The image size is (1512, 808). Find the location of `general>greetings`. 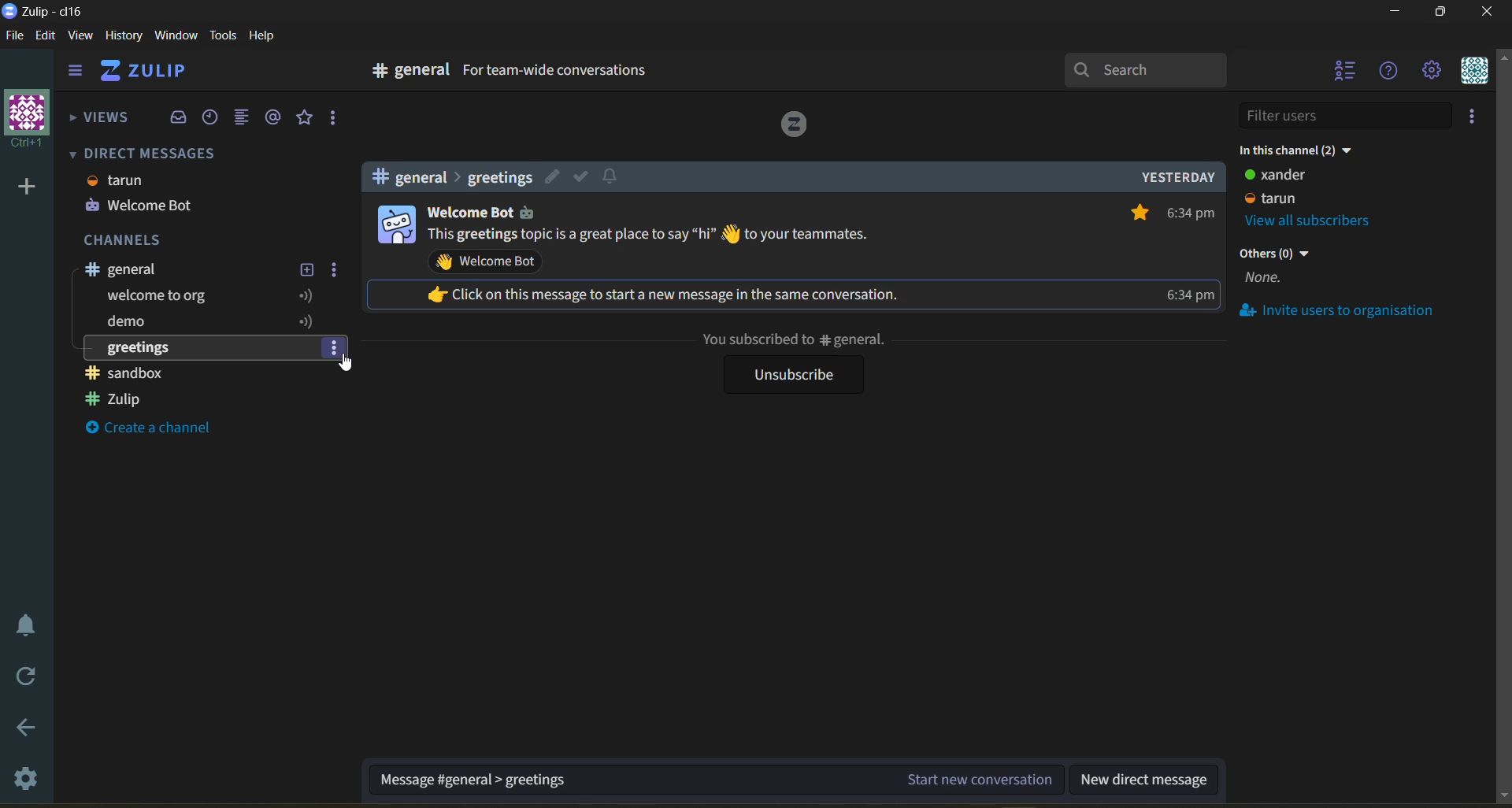

general>greetings is located at coordinates (447, 177).